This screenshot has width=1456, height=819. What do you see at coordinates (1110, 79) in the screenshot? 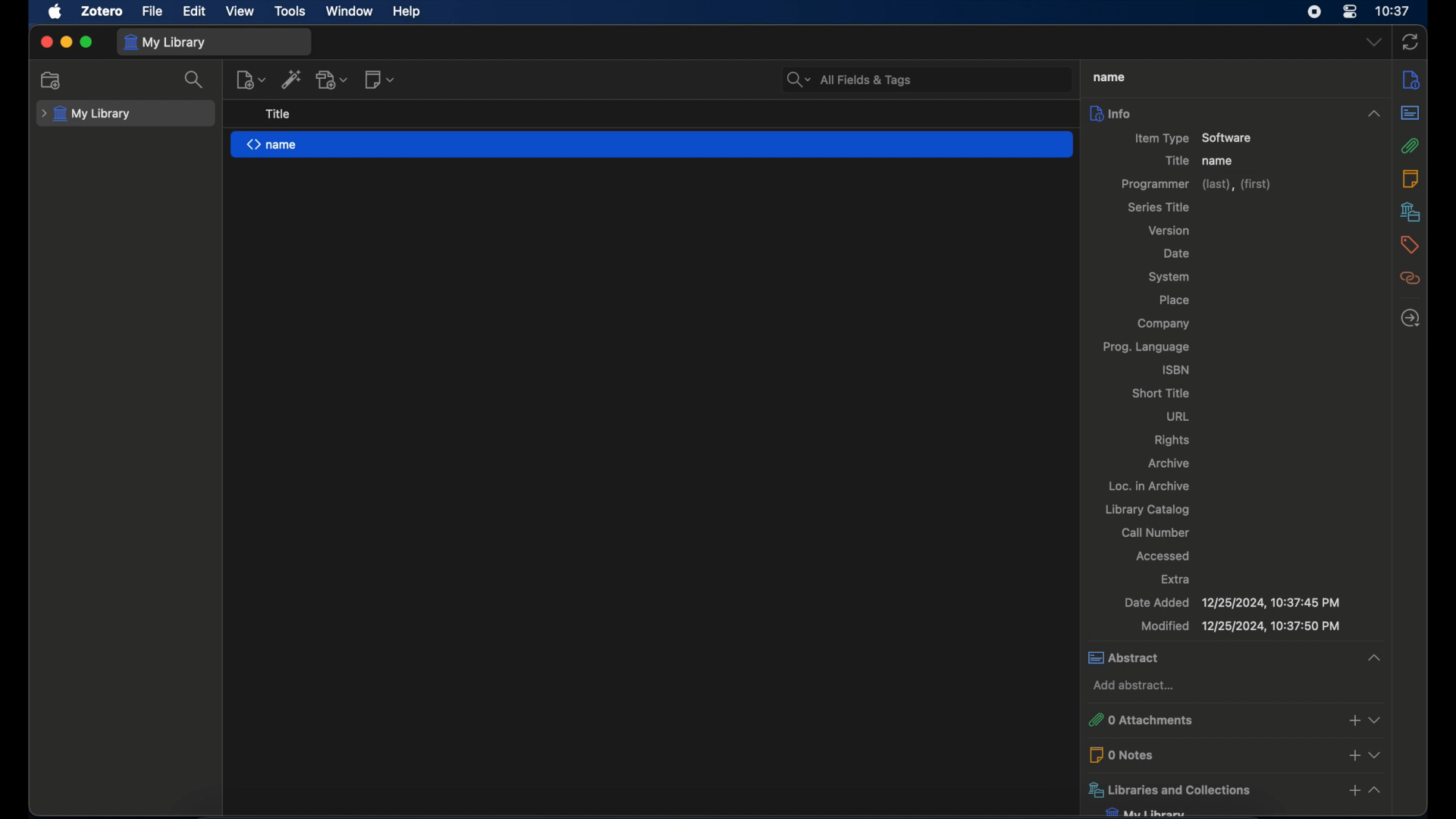
I see `name` at bounding box center [1110, 79].